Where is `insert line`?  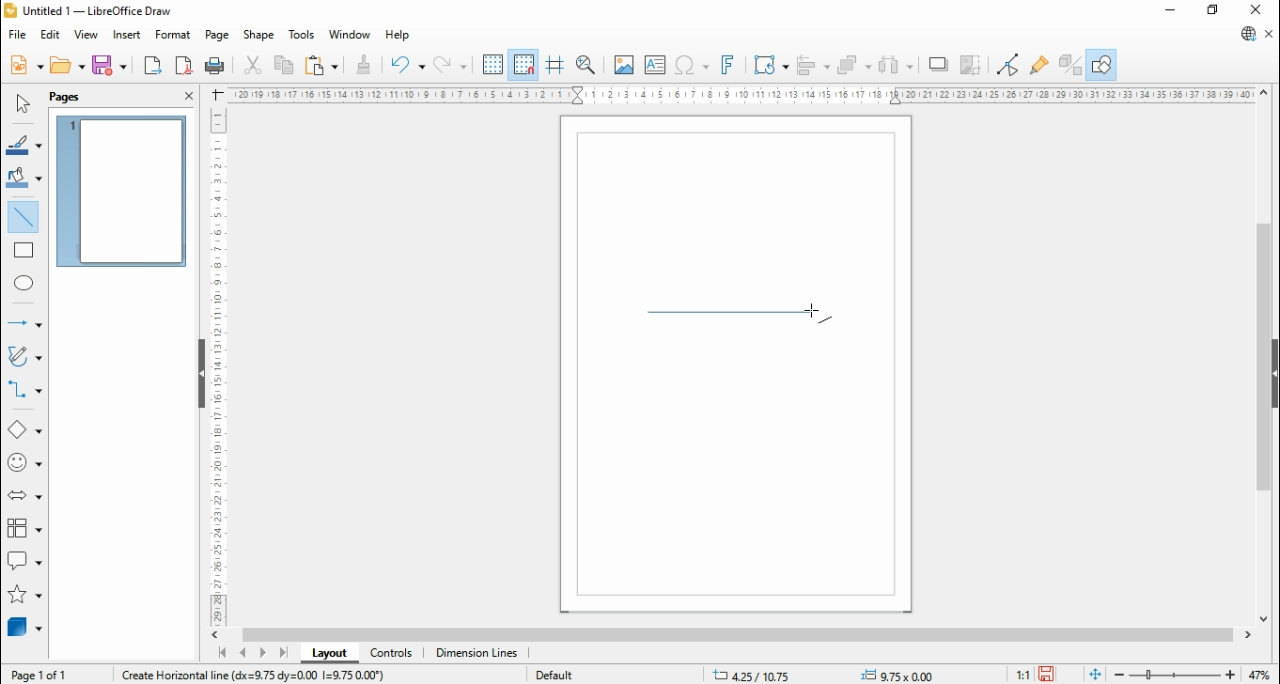
insert line is located at coordinates (24, 215).